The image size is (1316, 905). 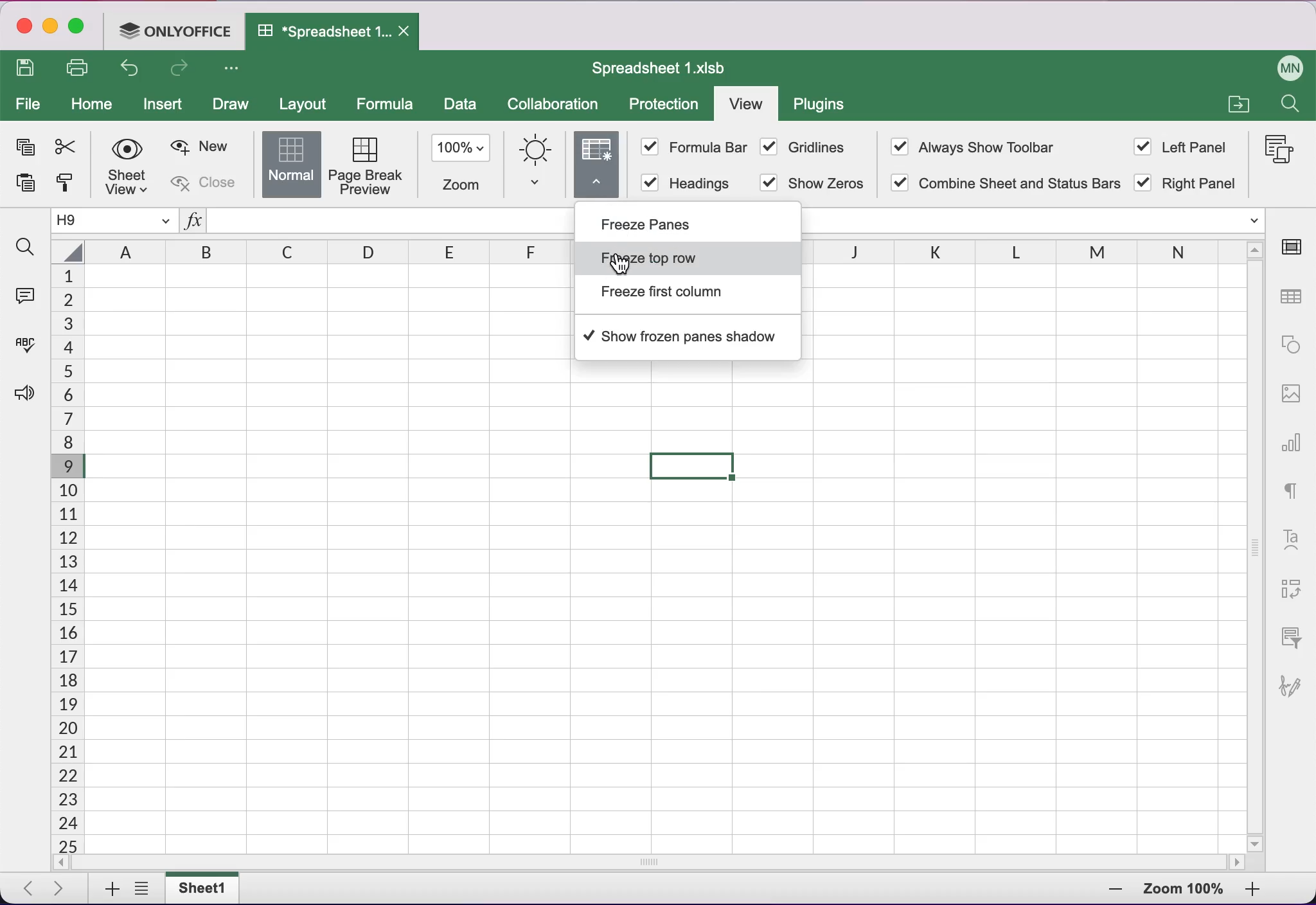 What do you see at coordinates (557, 106) in the screenshot?
I see `collaboration` at bounding box center [557, 106].